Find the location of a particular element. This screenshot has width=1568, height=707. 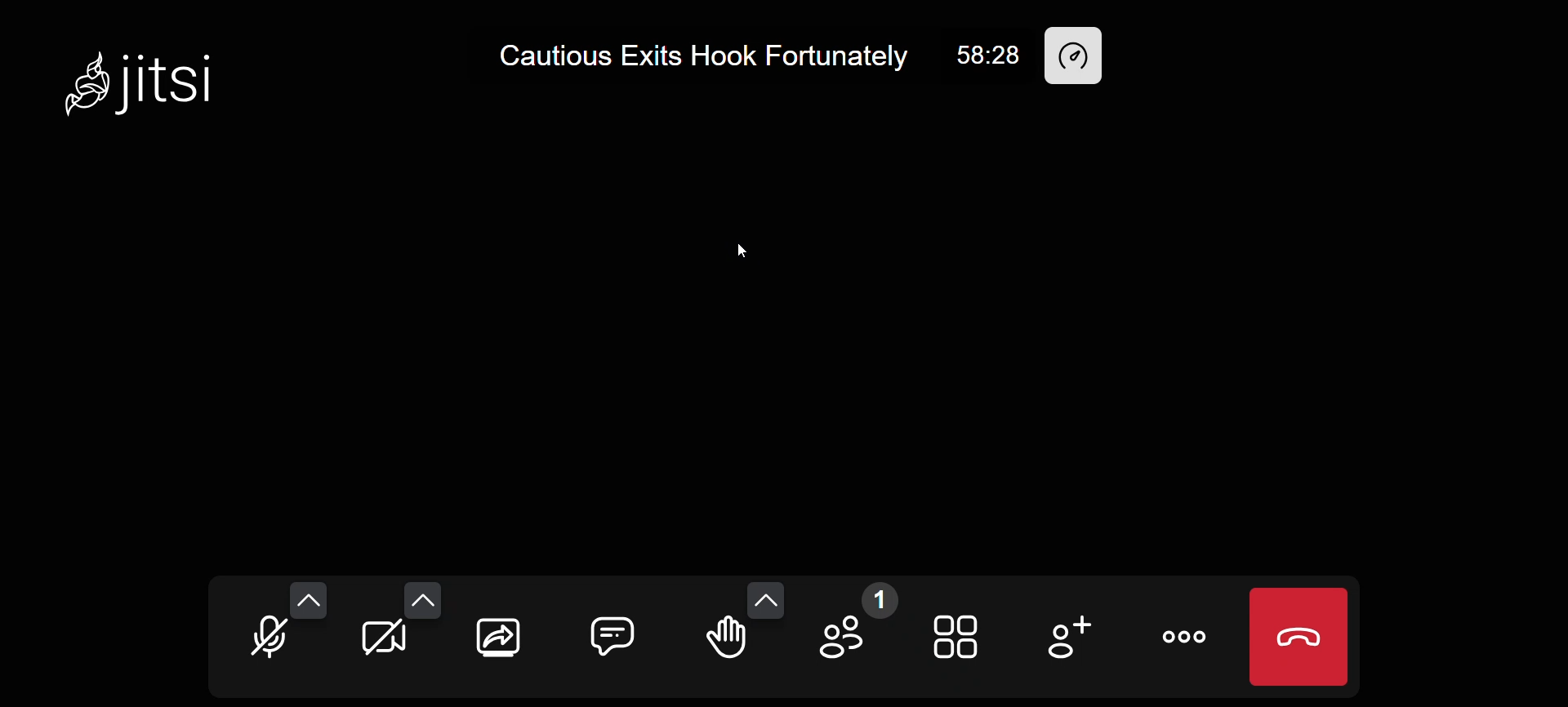

microphone is located at coordinates (265, 642).